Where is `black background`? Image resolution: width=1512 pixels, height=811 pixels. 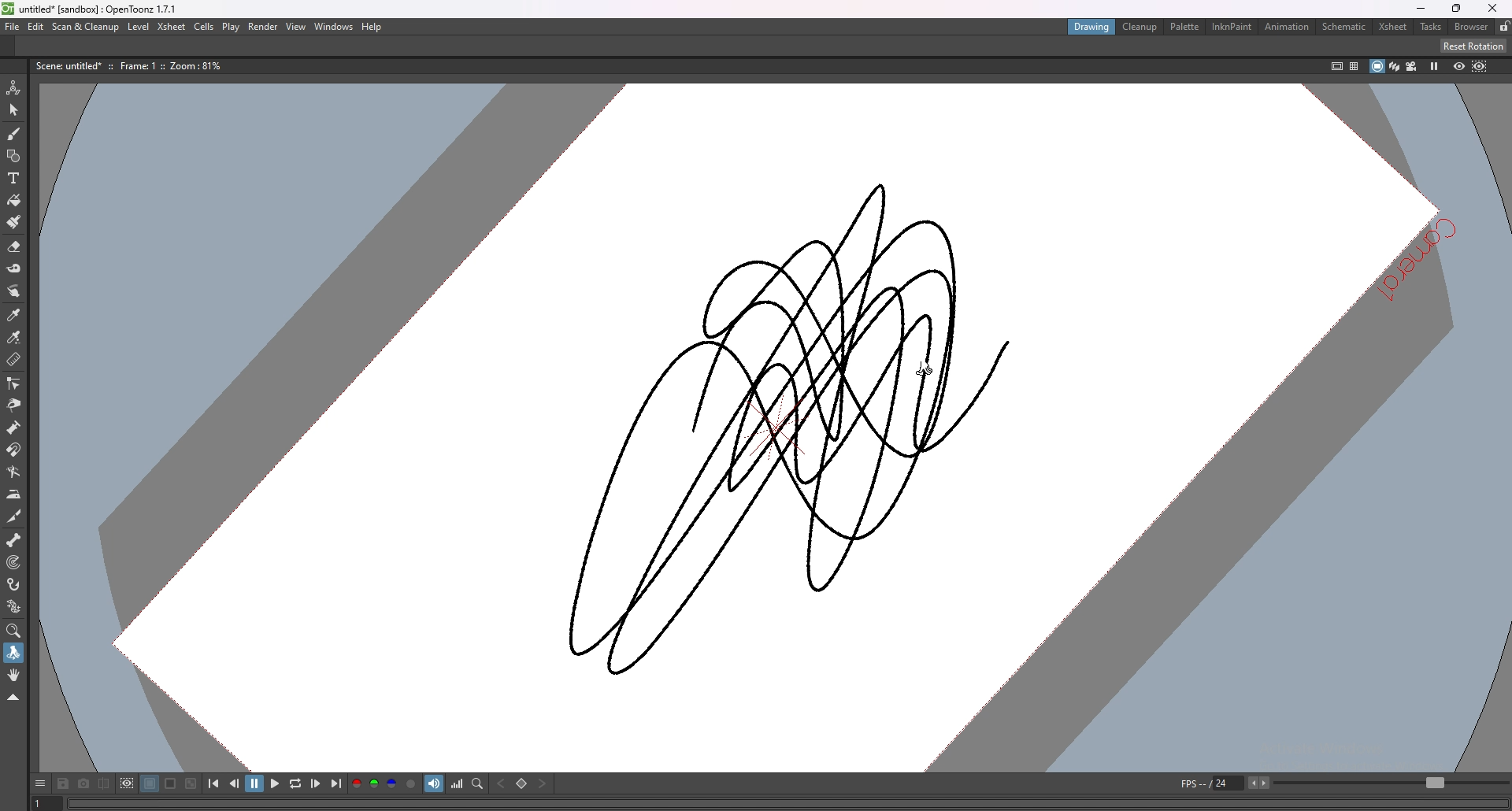 black background is located at coordinates (150, 784).